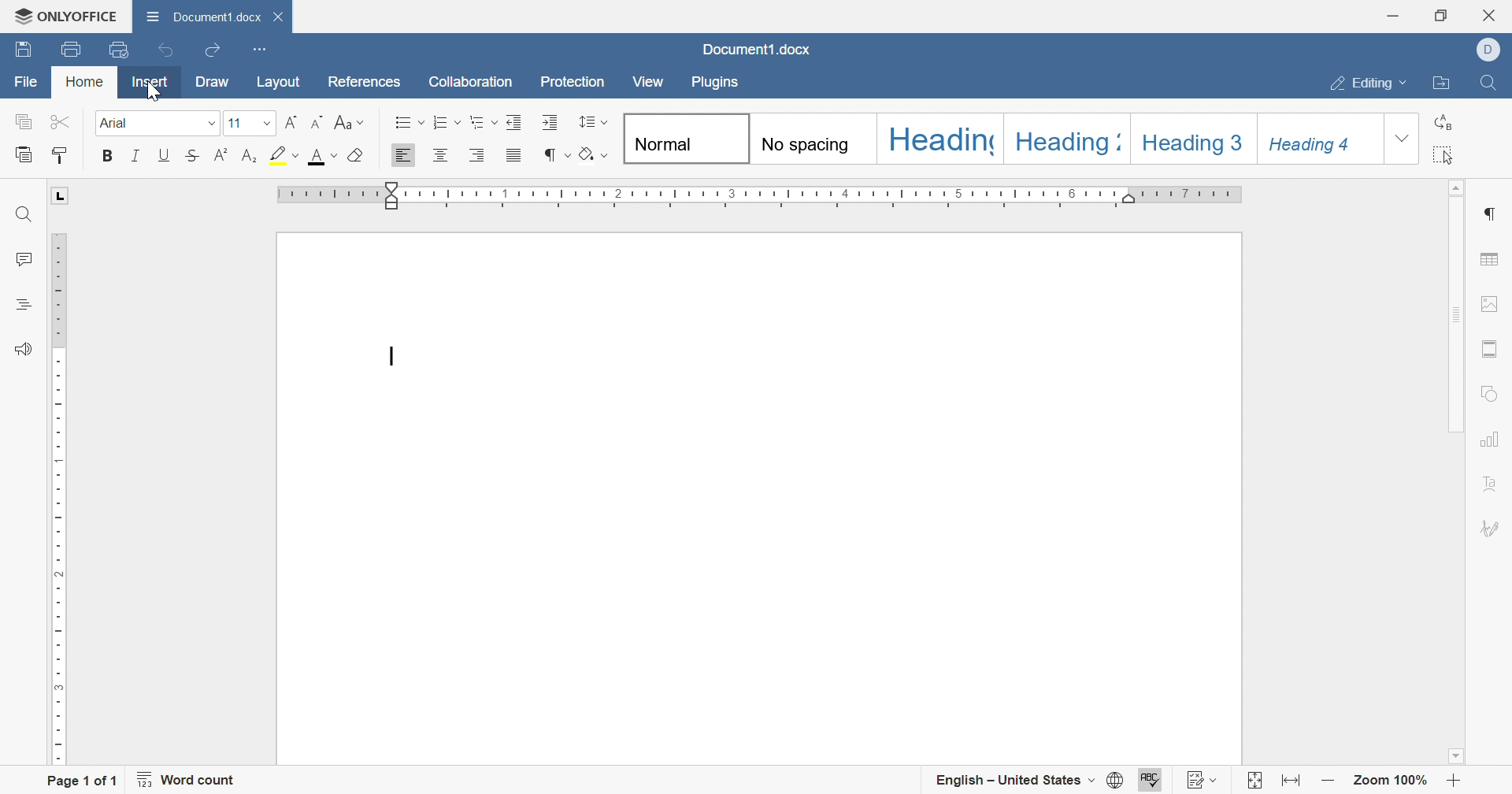  What do you see at coordinates (282, 15) in the screenshot?
I see `Close` at bounding box center [282, 15].